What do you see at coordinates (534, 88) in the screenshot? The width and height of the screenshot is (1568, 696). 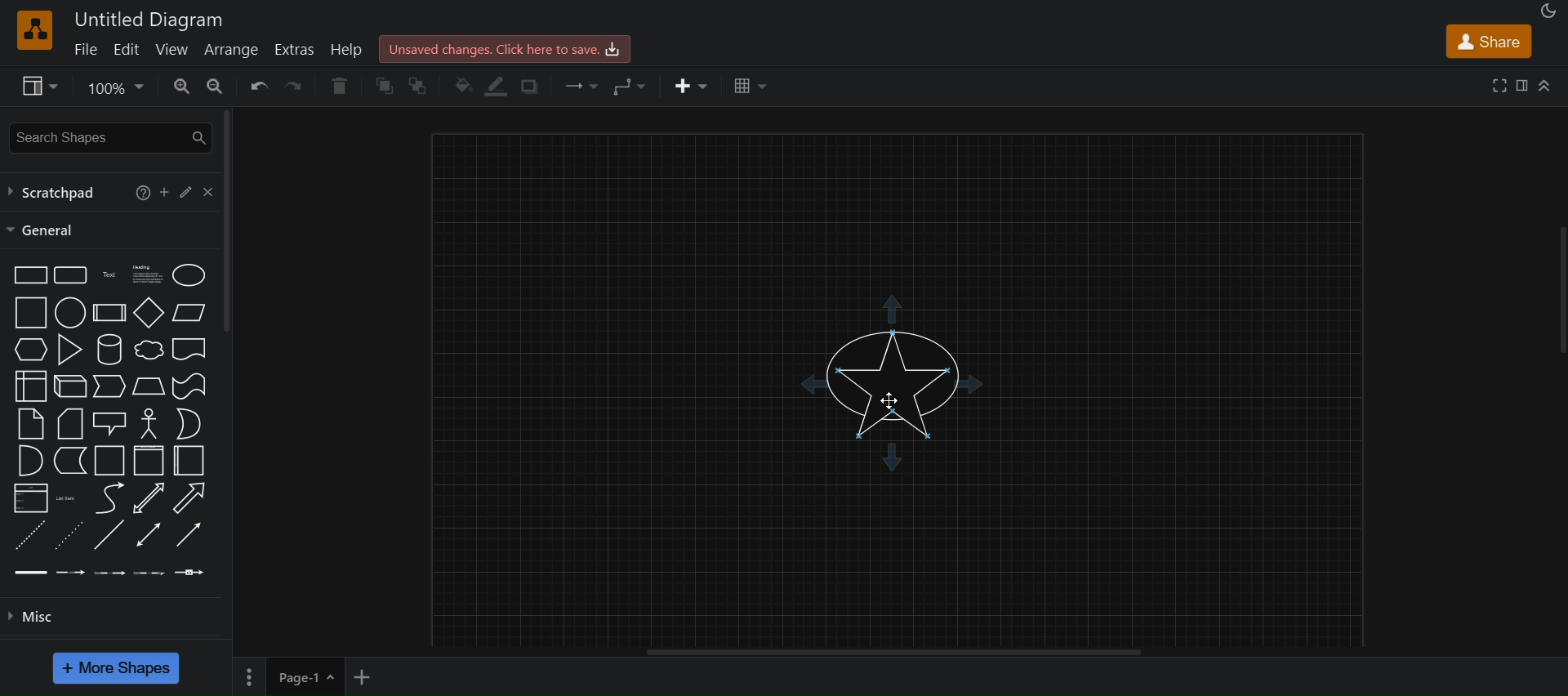 I see `shadows` at bounding box center [534, 88].